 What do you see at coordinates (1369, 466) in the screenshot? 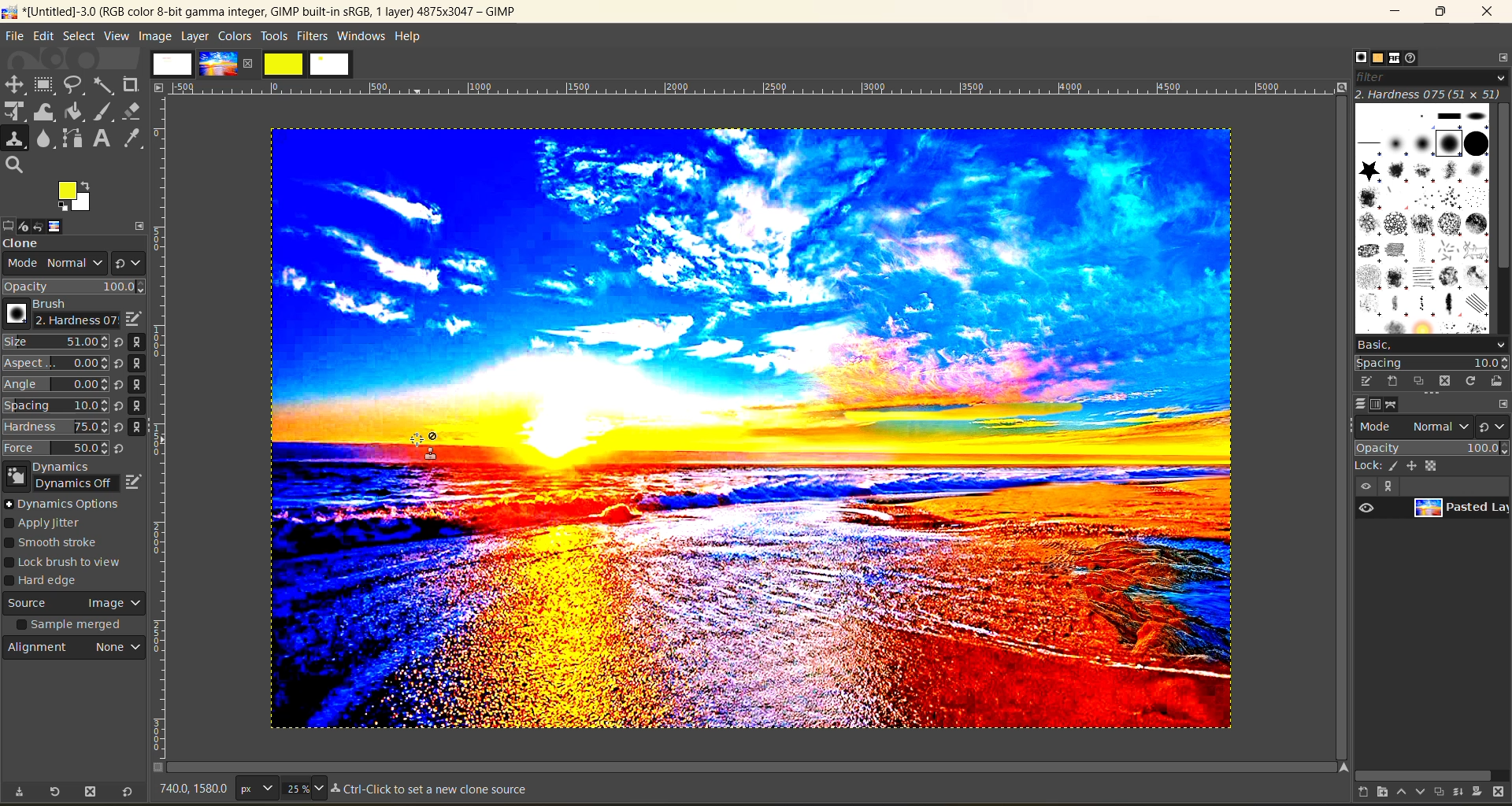
I see `Lock:` at bounding box center [1369, 466].